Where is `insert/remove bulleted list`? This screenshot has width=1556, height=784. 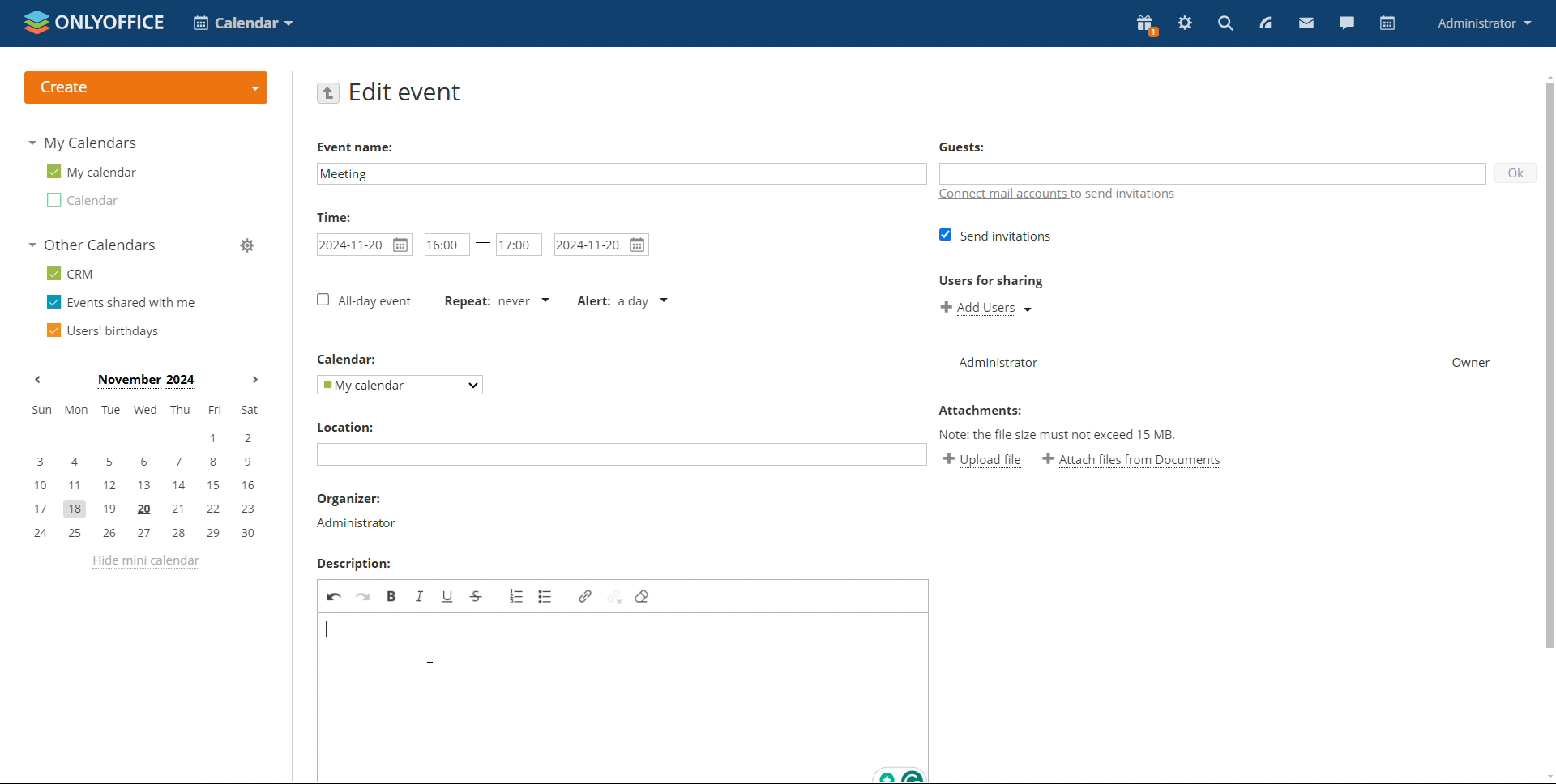 insert/remove bulleted list is located at coordinates (547, 596).